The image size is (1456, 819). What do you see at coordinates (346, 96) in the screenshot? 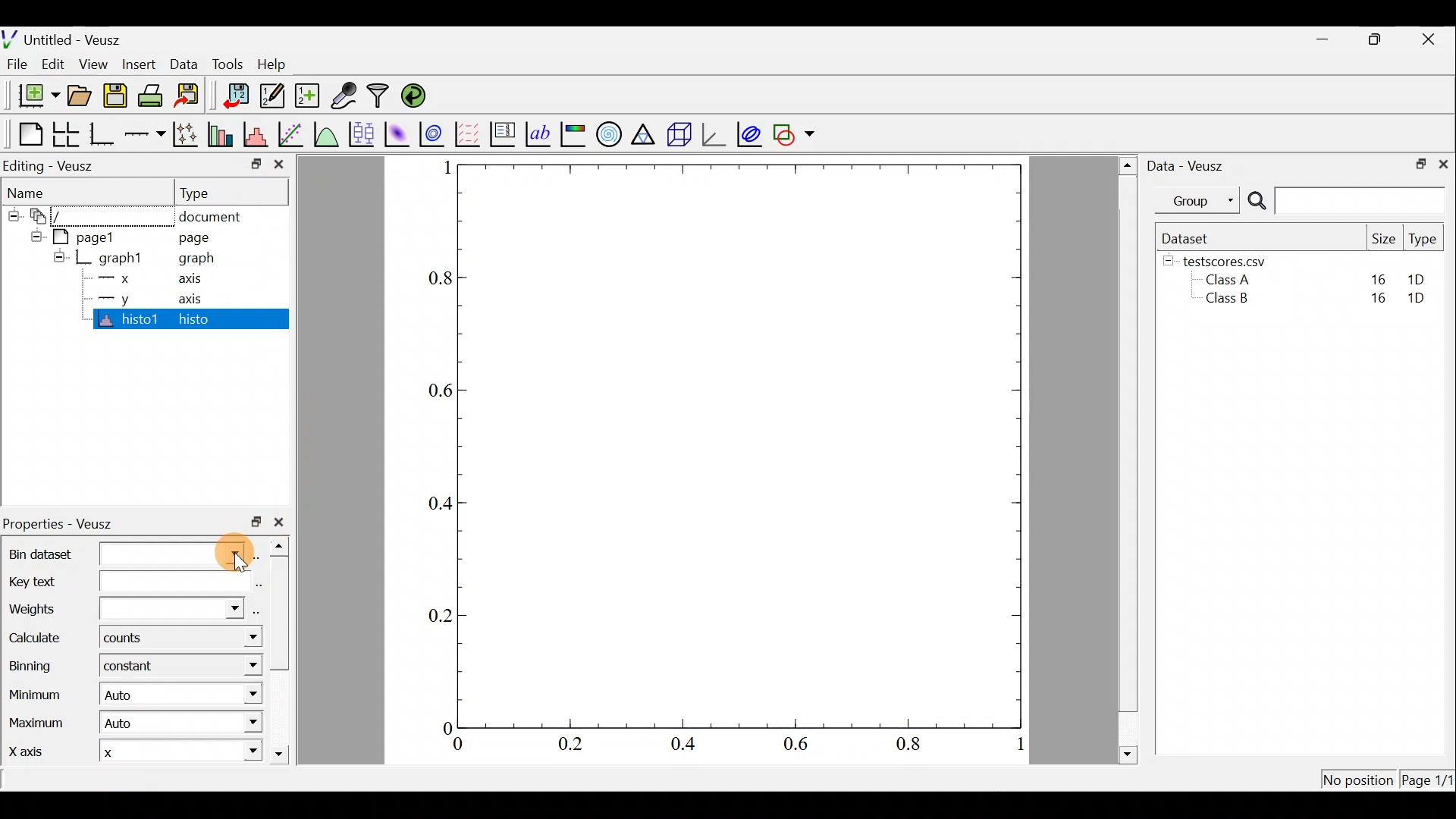
I see `Capture remote data` at bounding box center [346, 96].